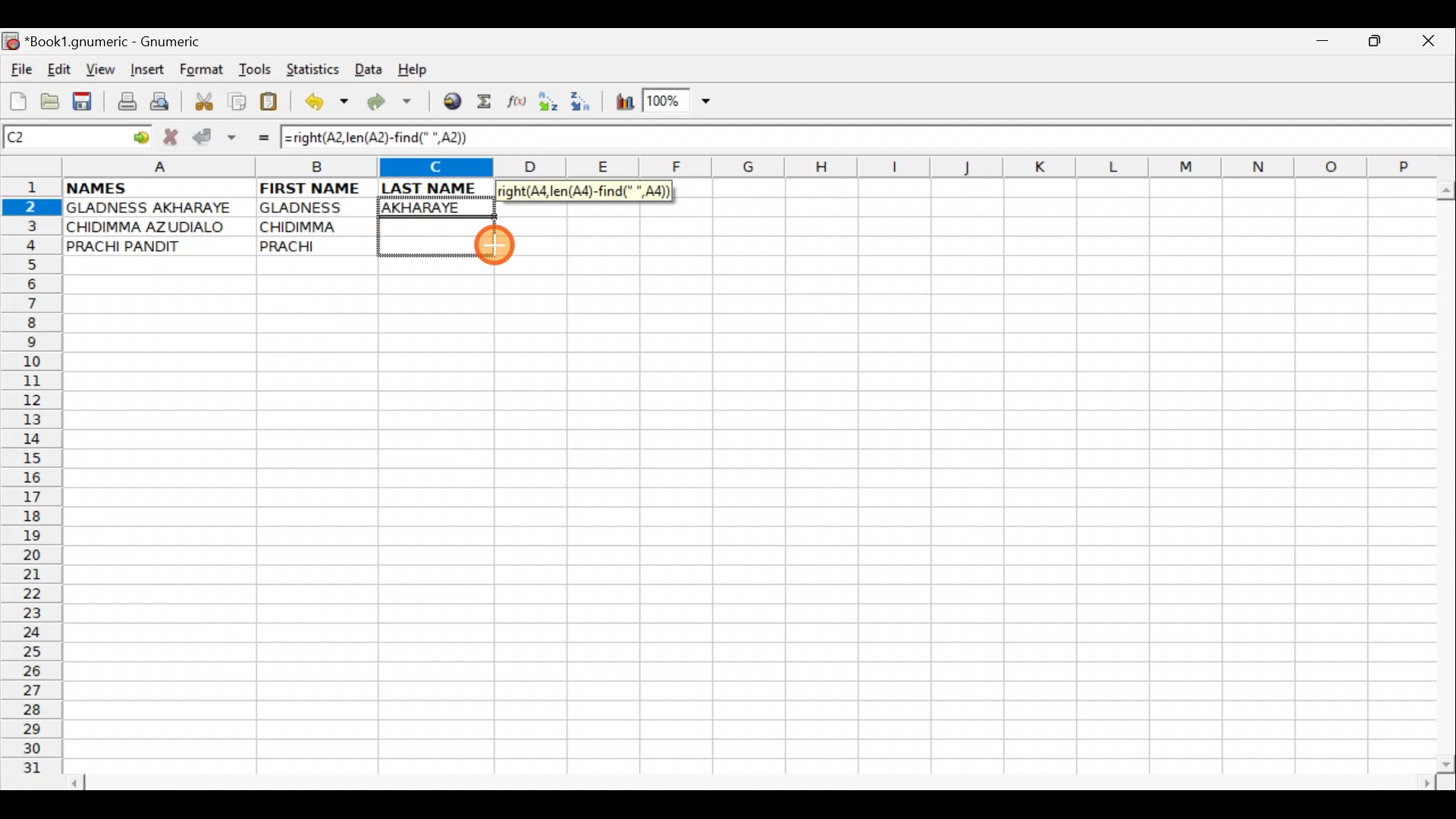  I want to click on Redo undone action, so click(393, 104).